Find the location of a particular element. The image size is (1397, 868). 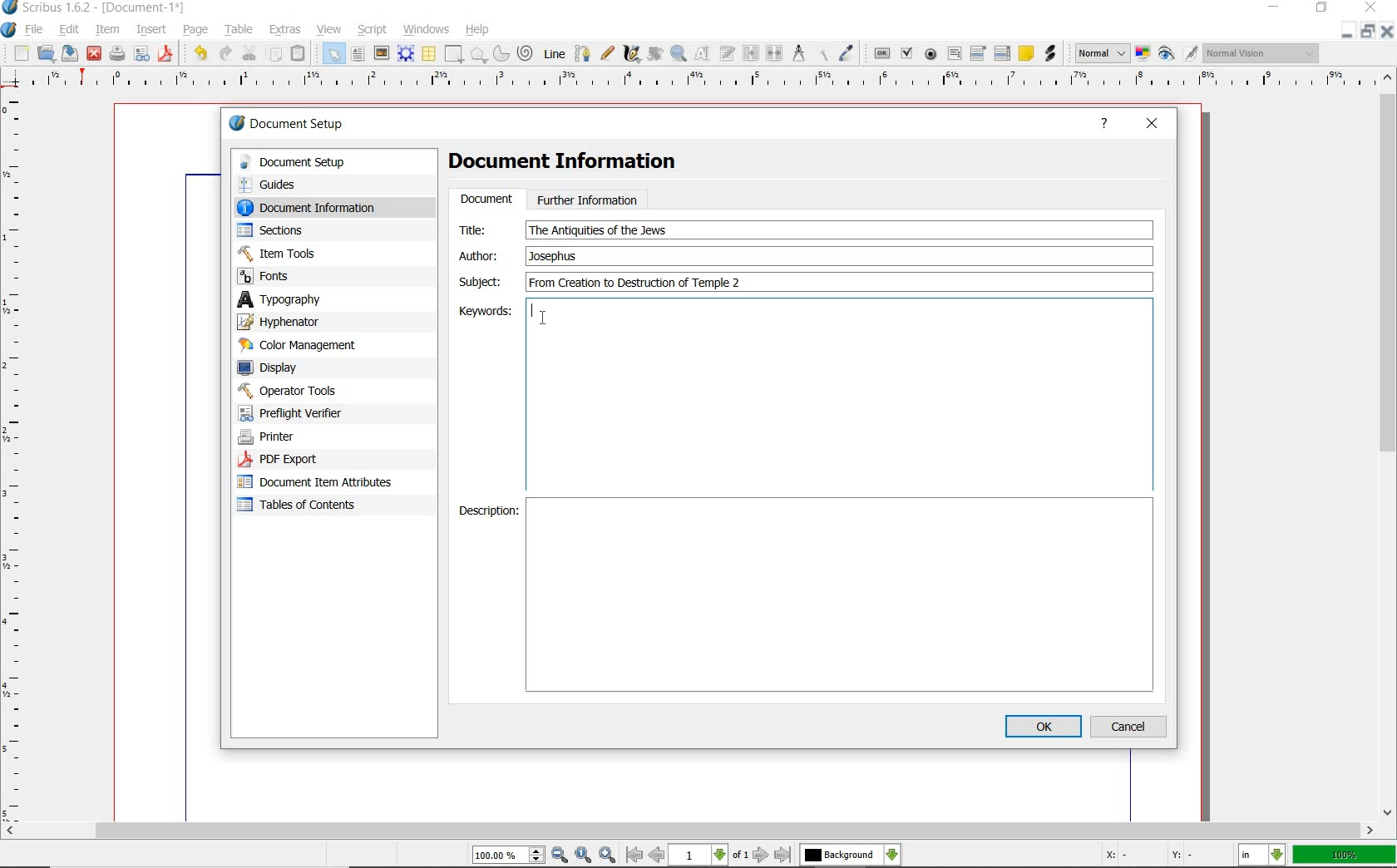

typography is located at coordinates (303, 299).